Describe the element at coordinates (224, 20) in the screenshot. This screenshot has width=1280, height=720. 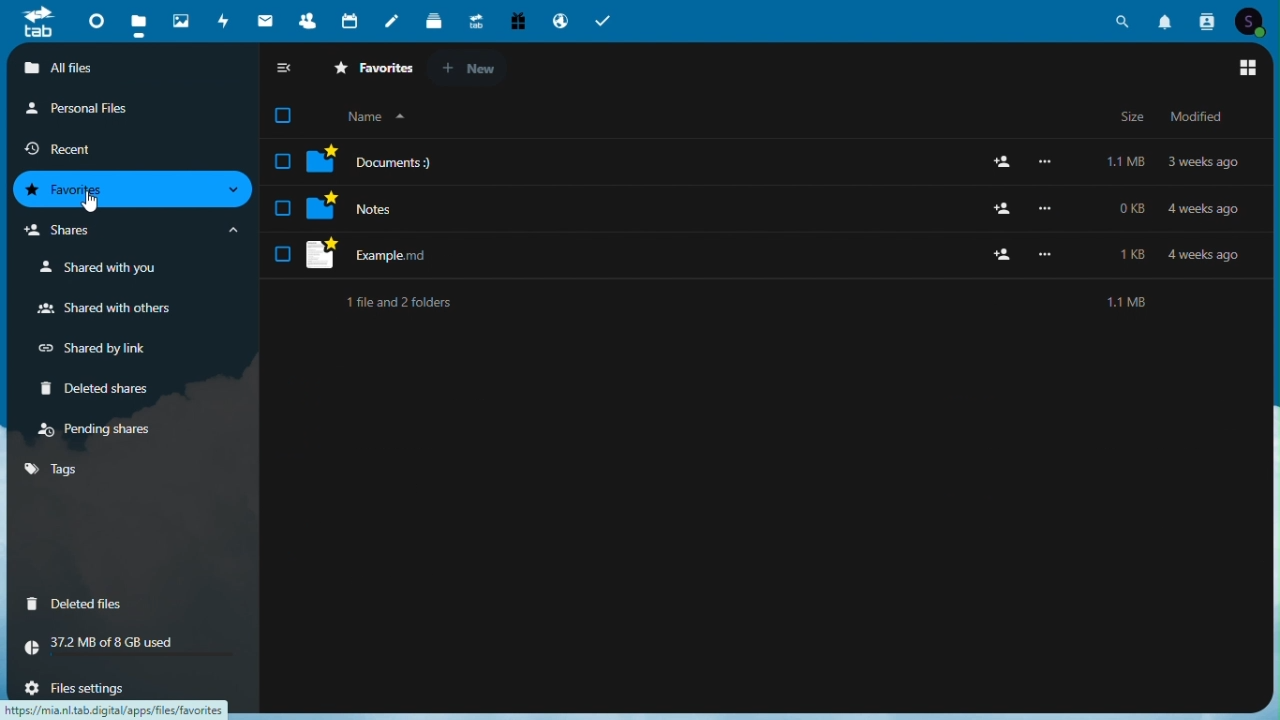
I see `Activity` at that location.